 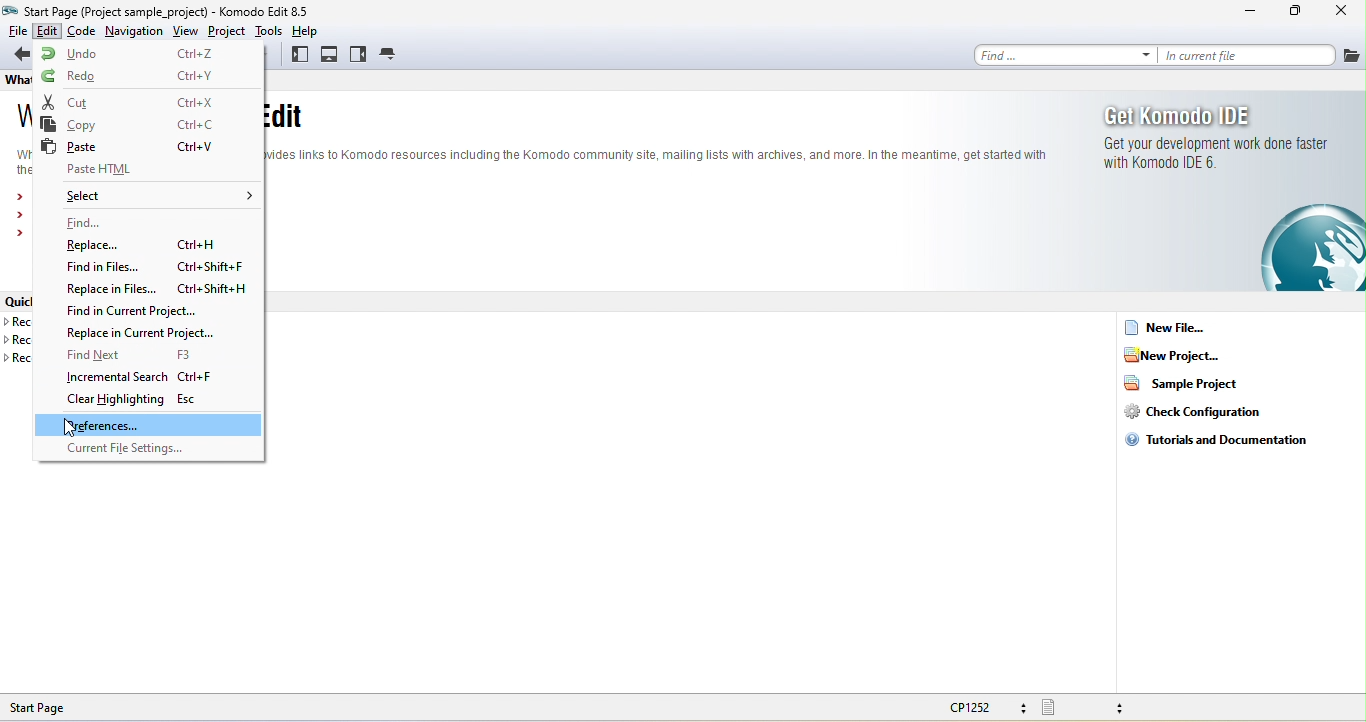 What do you see at coordinates (146, 425) in the screenshot?
I see `preferences` at bounding box center [146, 425].